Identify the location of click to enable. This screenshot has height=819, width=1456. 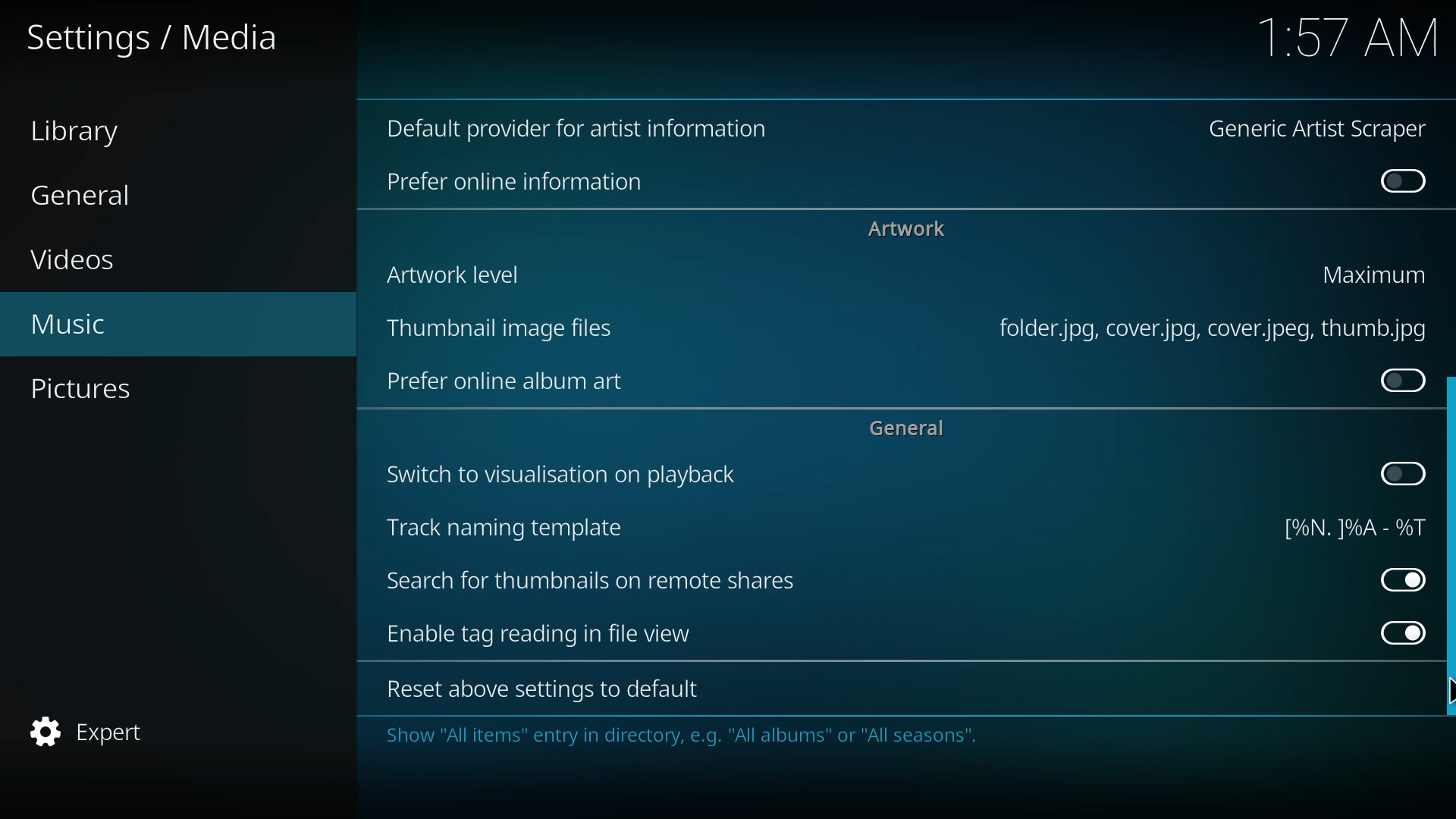
(1397, 379).